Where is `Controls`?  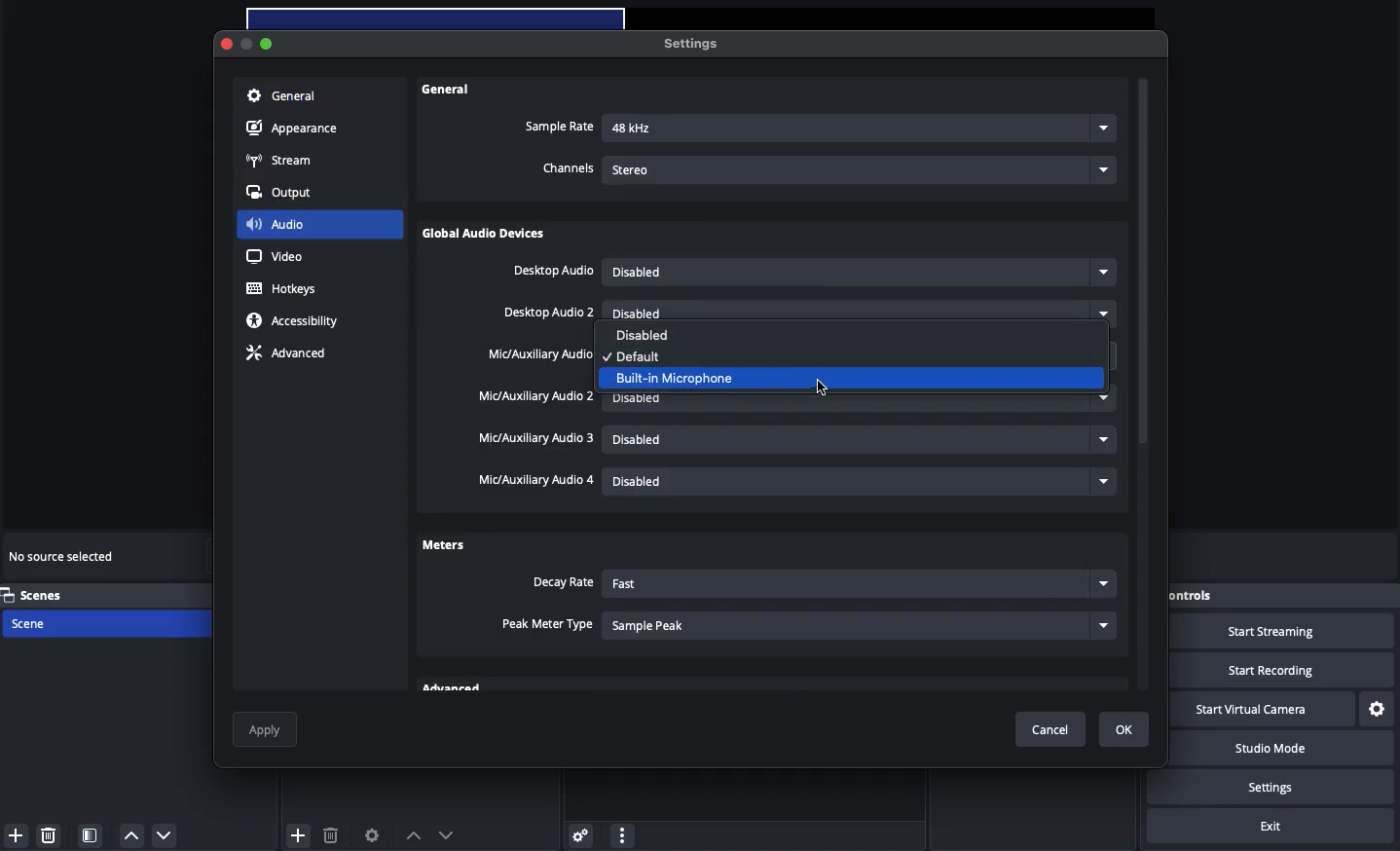
Controls is located at coordinates (1220, 596).